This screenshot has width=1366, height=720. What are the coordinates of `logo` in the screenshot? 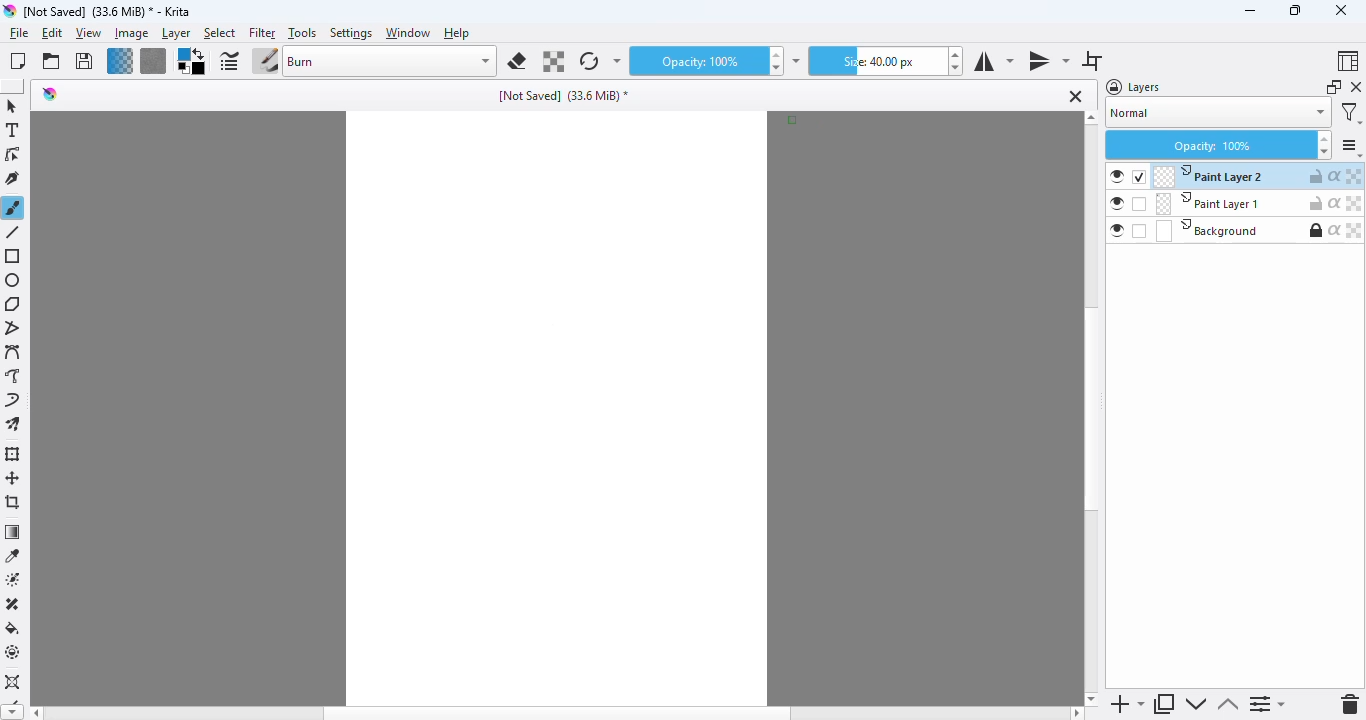 It's located at (9, 11).